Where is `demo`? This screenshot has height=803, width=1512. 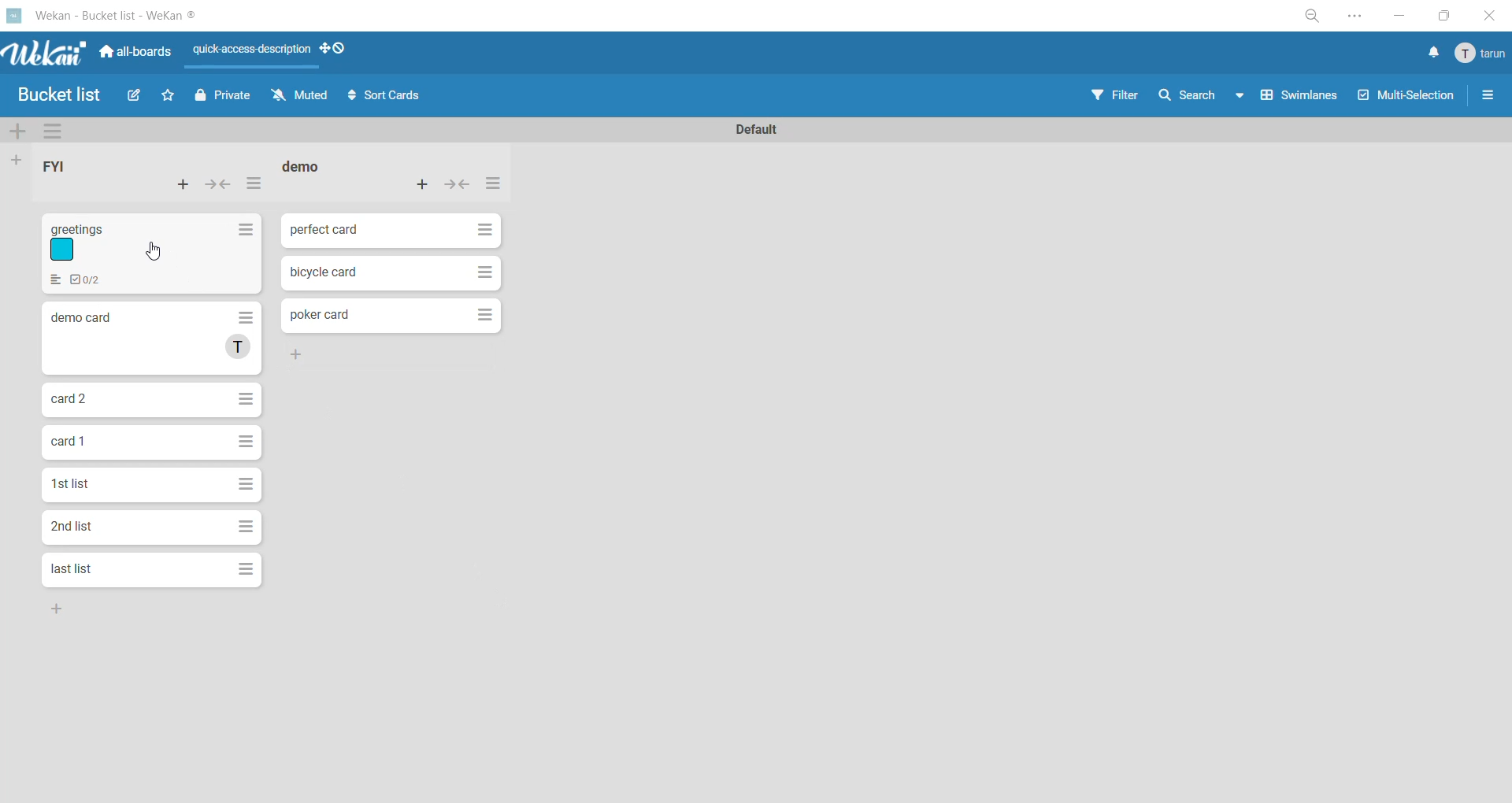 demo is located at coordinates (306, 166).